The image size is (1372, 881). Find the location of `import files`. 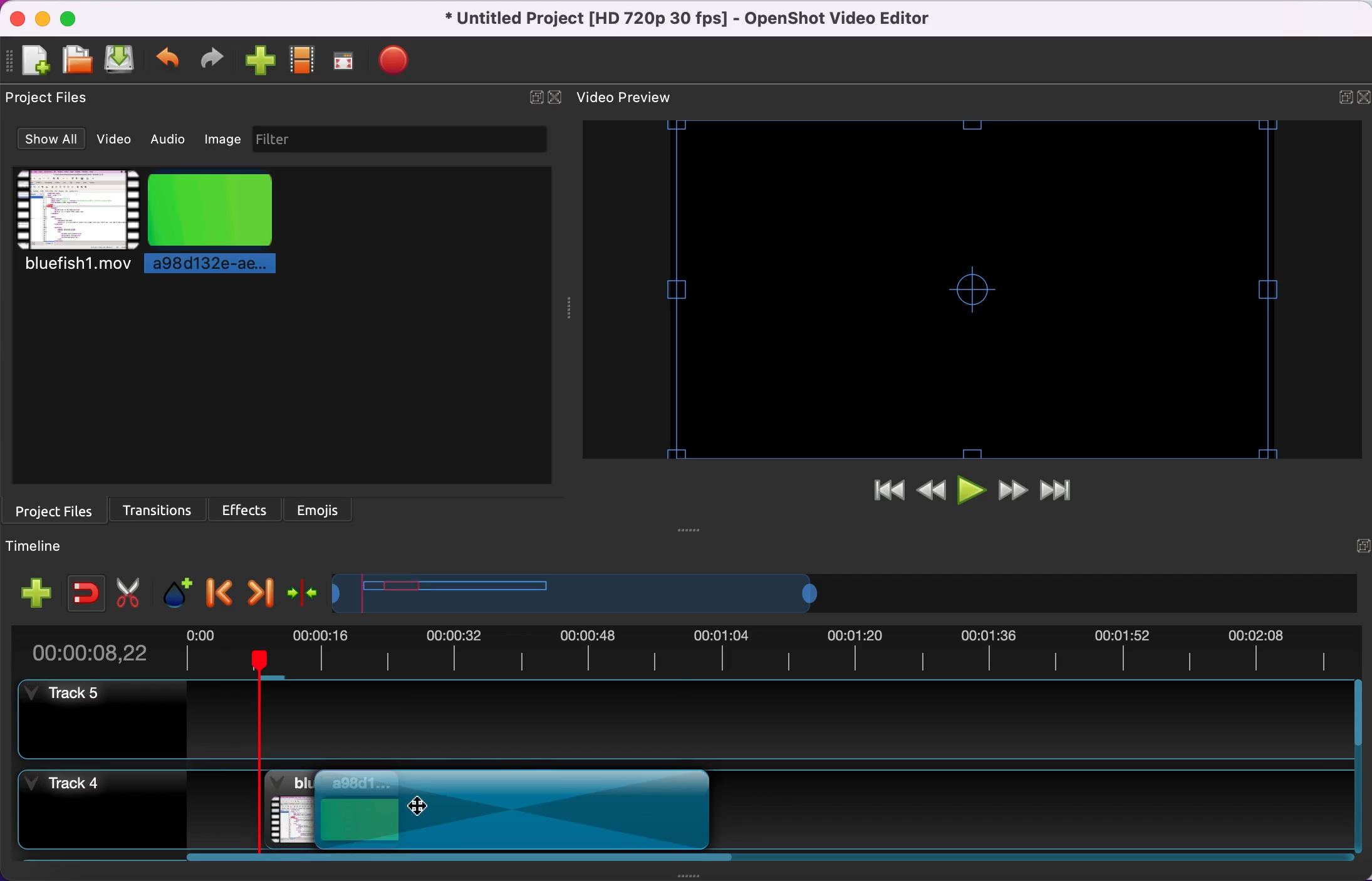

import files is located at coordinates (256, 63).